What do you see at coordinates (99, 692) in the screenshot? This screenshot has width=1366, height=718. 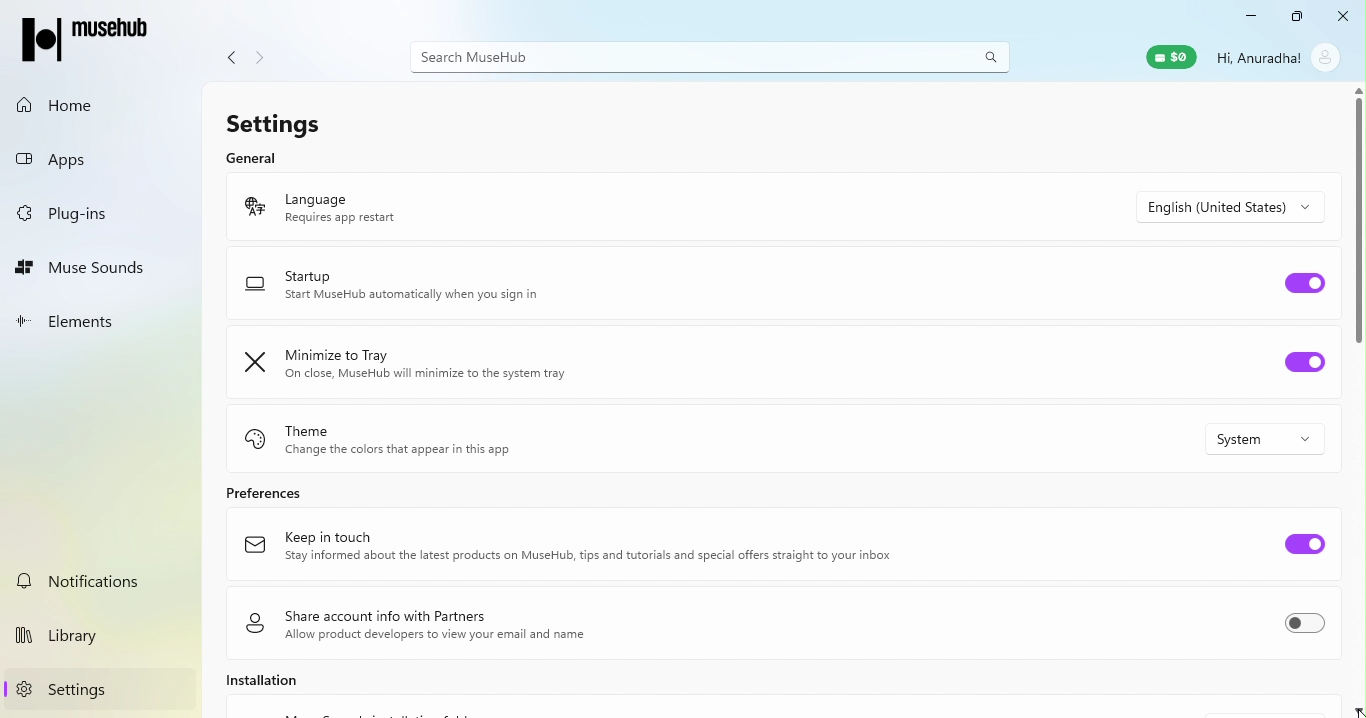 I see `Settings` at bounding box center [99, 692].